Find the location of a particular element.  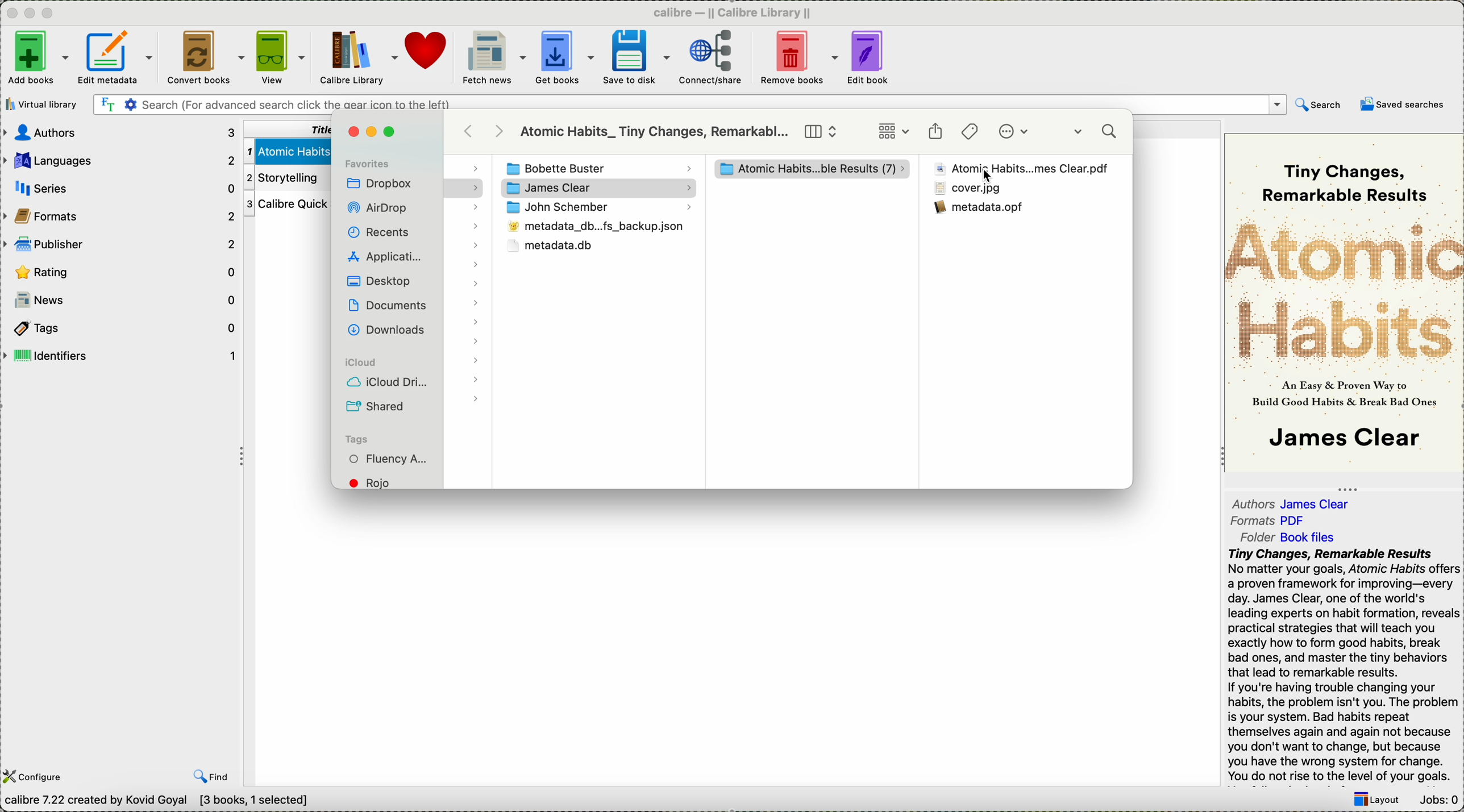

click on book is located at coordinates (1021, 169).